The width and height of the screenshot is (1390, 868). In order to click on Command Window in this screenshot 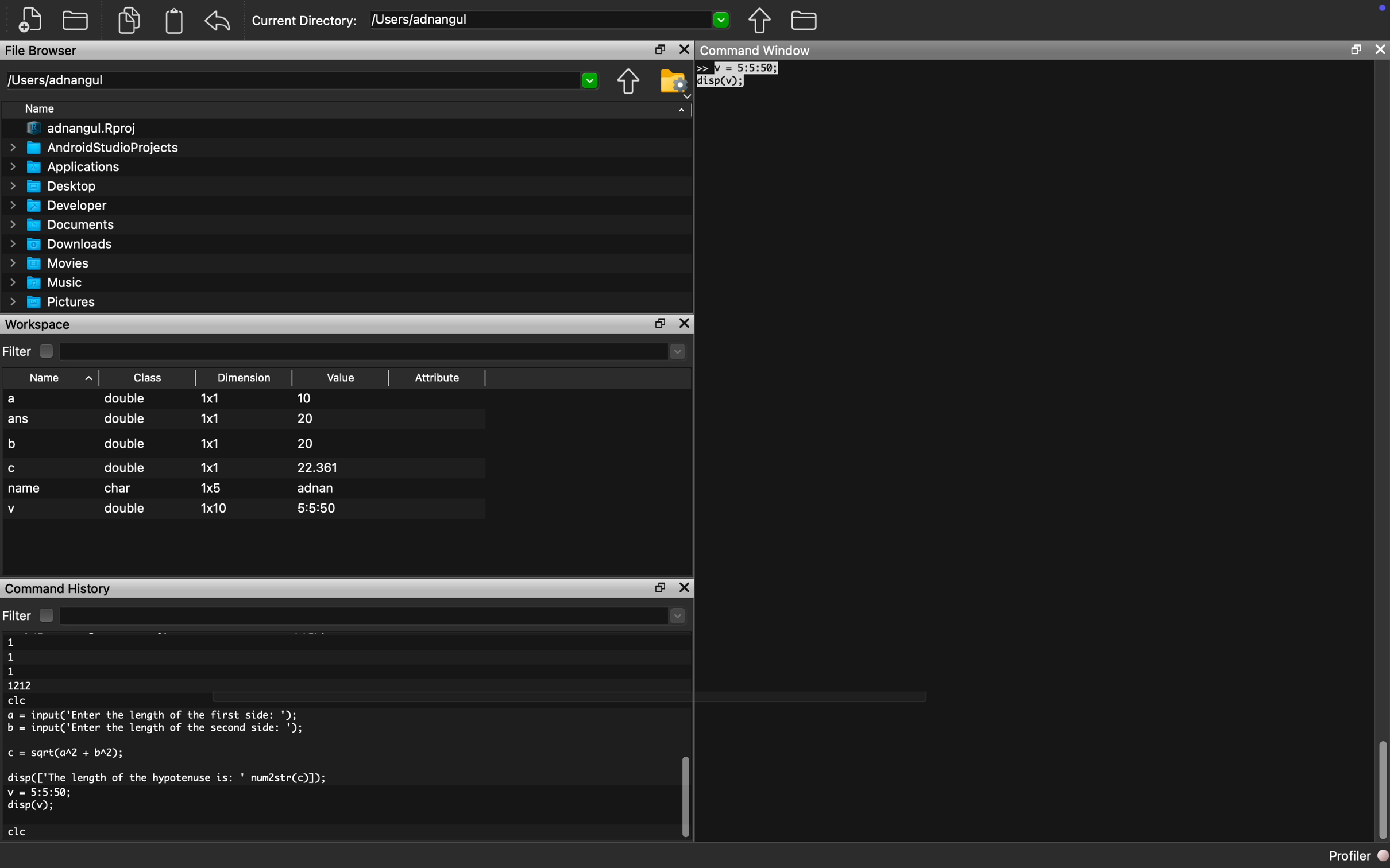, I will do `click(754, 50)`.